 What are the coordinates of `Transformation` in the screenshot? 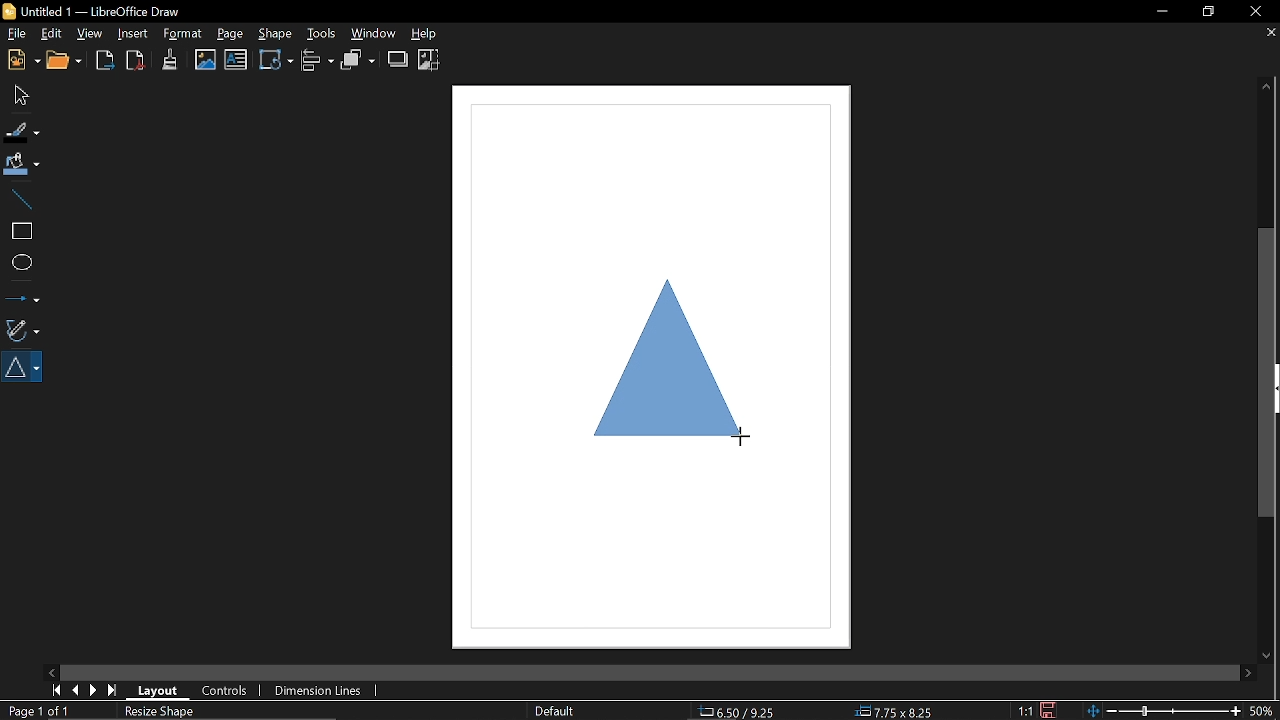 It's located at (276, 59).